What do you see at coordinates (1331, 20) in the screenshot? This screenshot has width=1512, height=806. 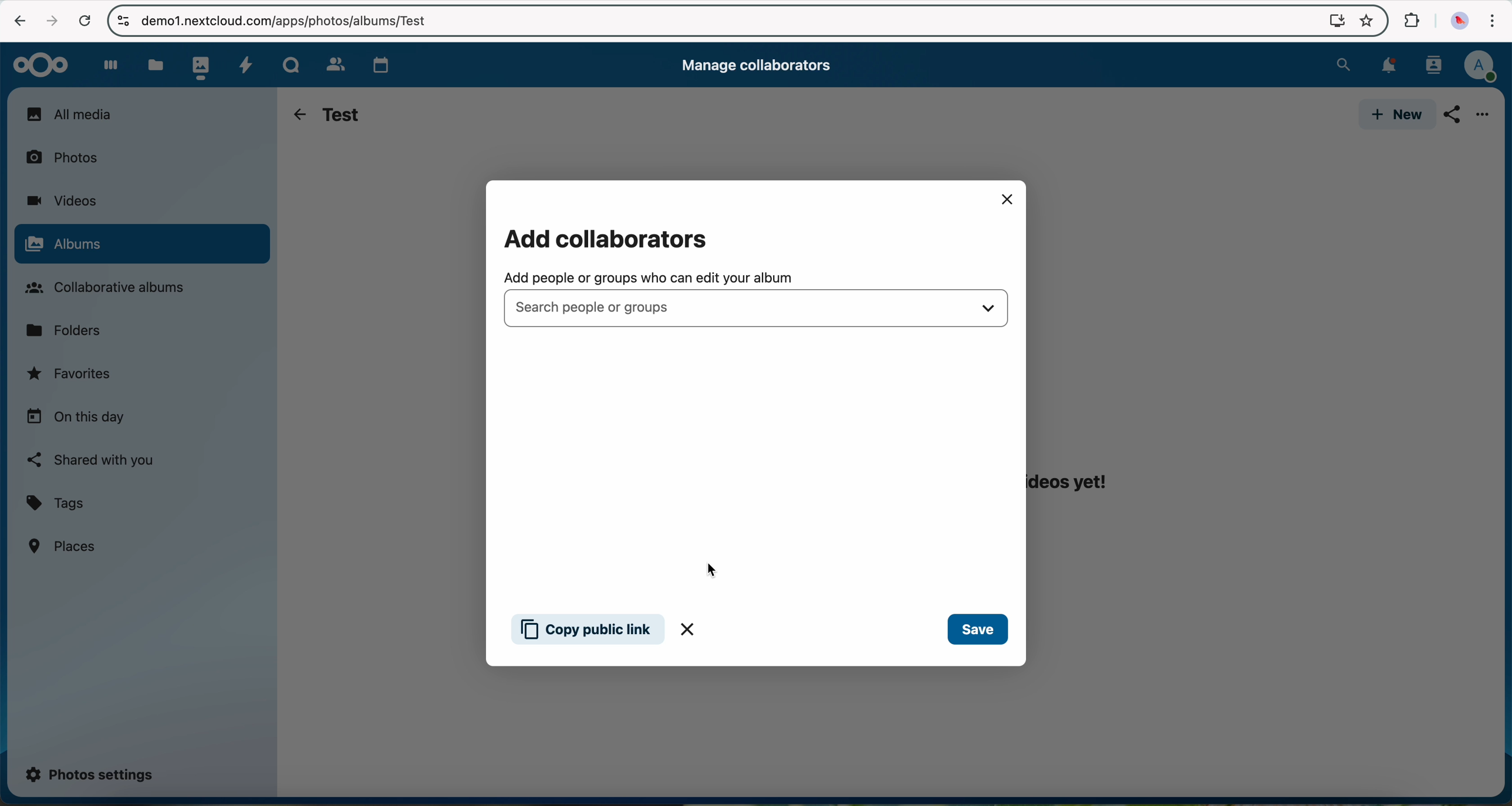 I see `screen` at bounding box center [1331, 20].